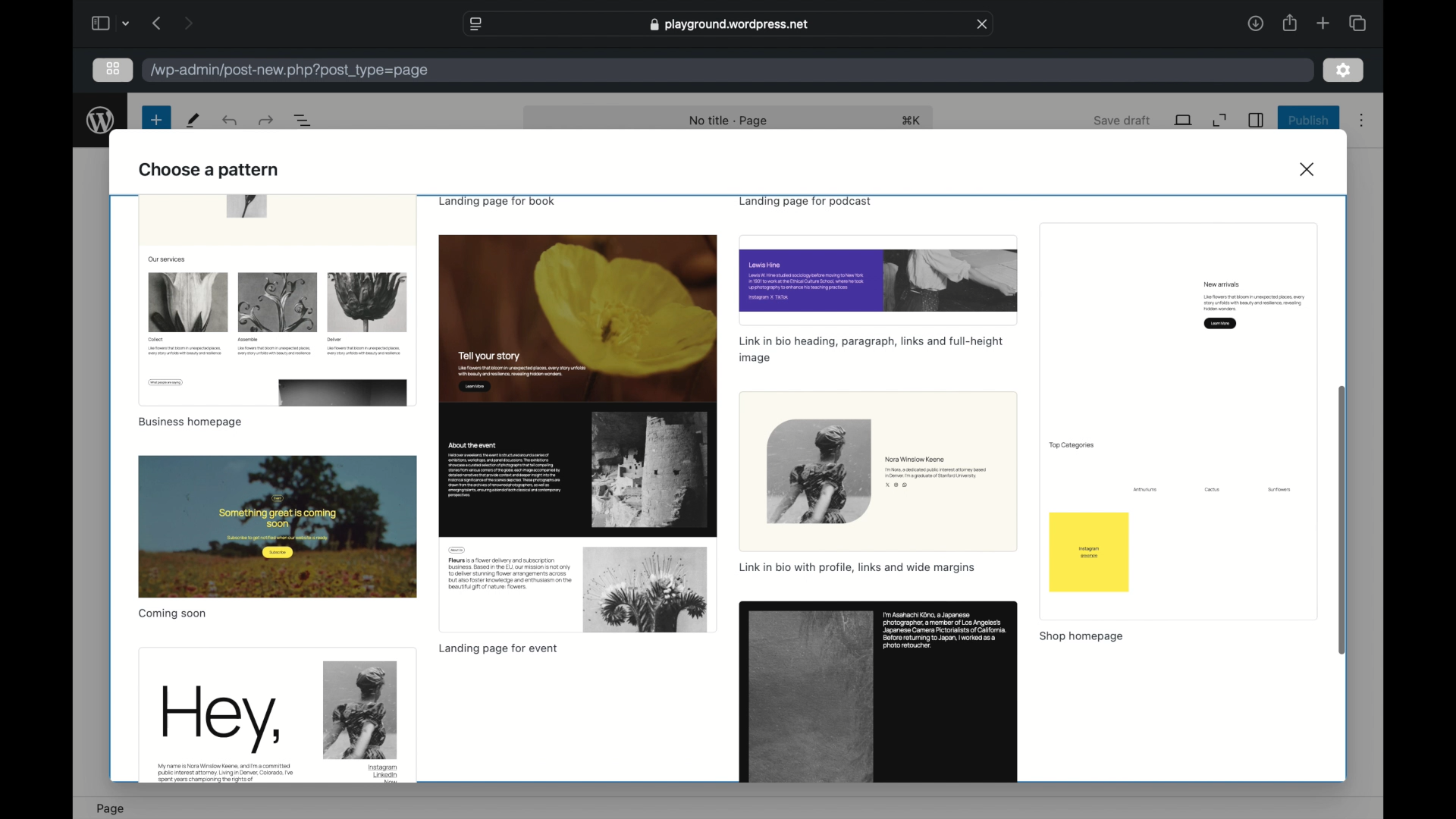 This screenshot has width=1456, height=819. What do you see at coordinates (1081, 638) in the screenshot?
I see `shop homepage` at bounding box center [1081, 638].